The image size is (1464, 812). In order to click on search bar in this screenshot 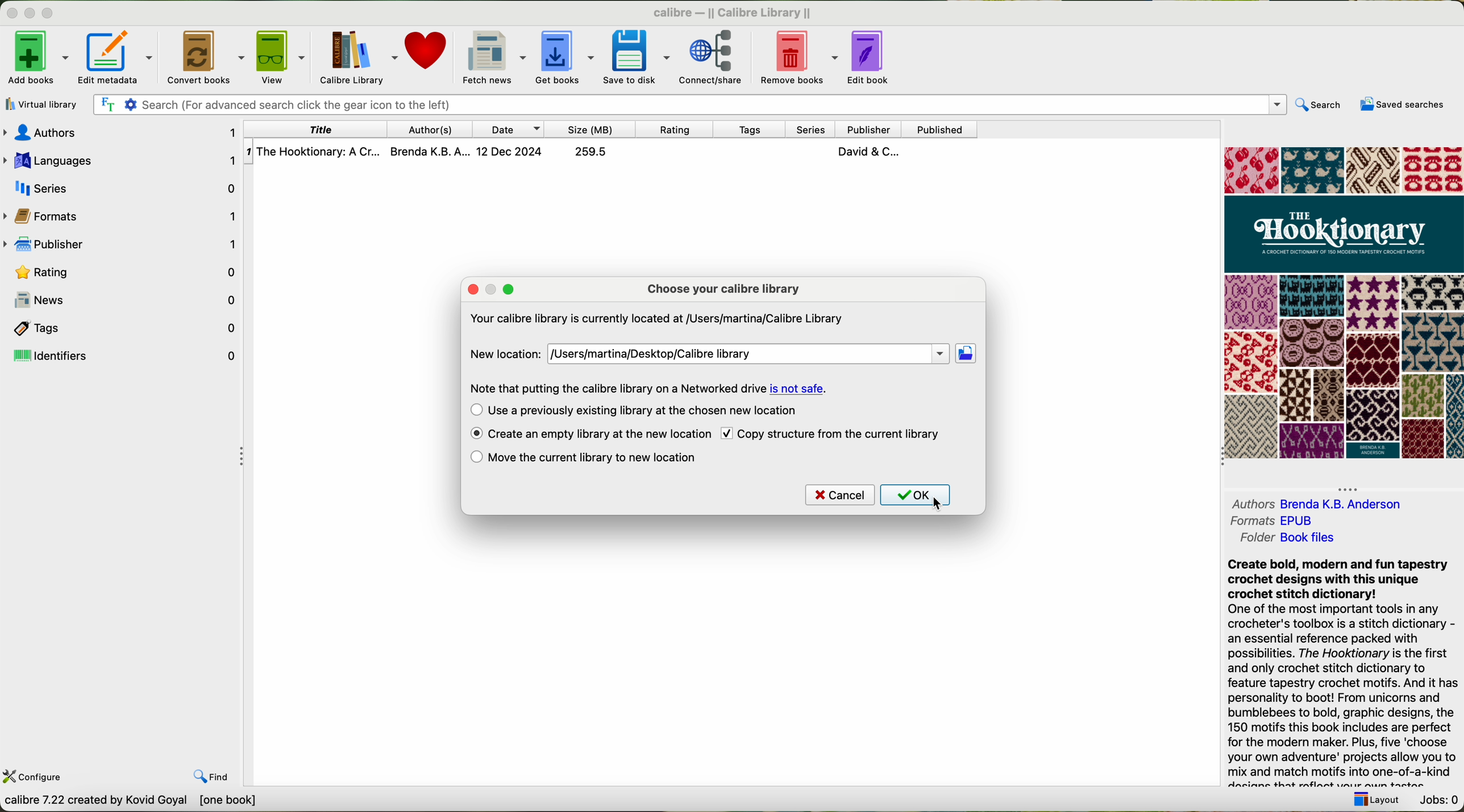, I will do `click(717, 105)`.